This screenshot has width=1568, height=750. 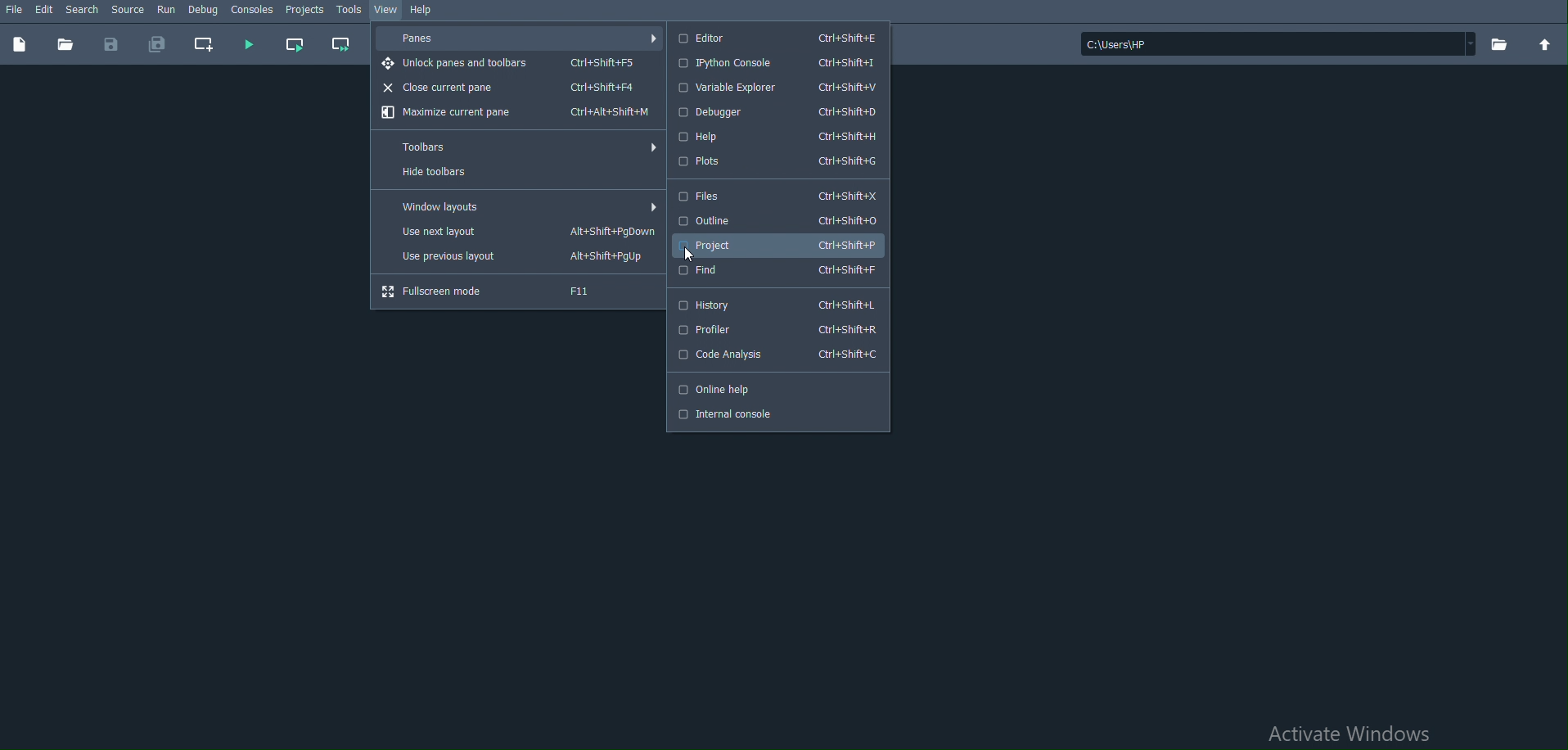 What do you see at coordinates (201, 45) in the screenshot?
I see `create new cell at the current line` at bounding box center [201, 45].